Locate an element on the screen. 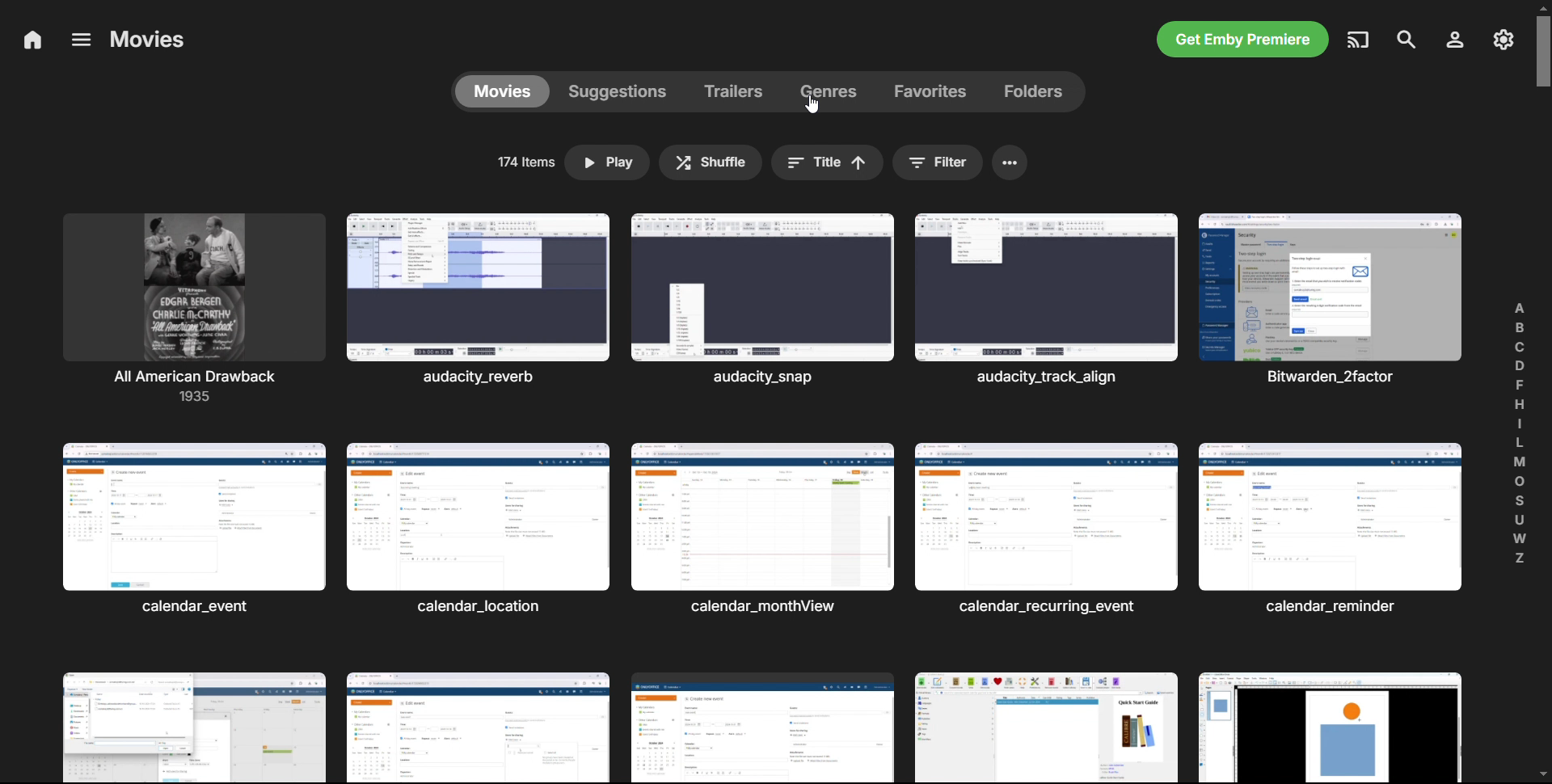  play on another device is located at coordinates (1360, 39).